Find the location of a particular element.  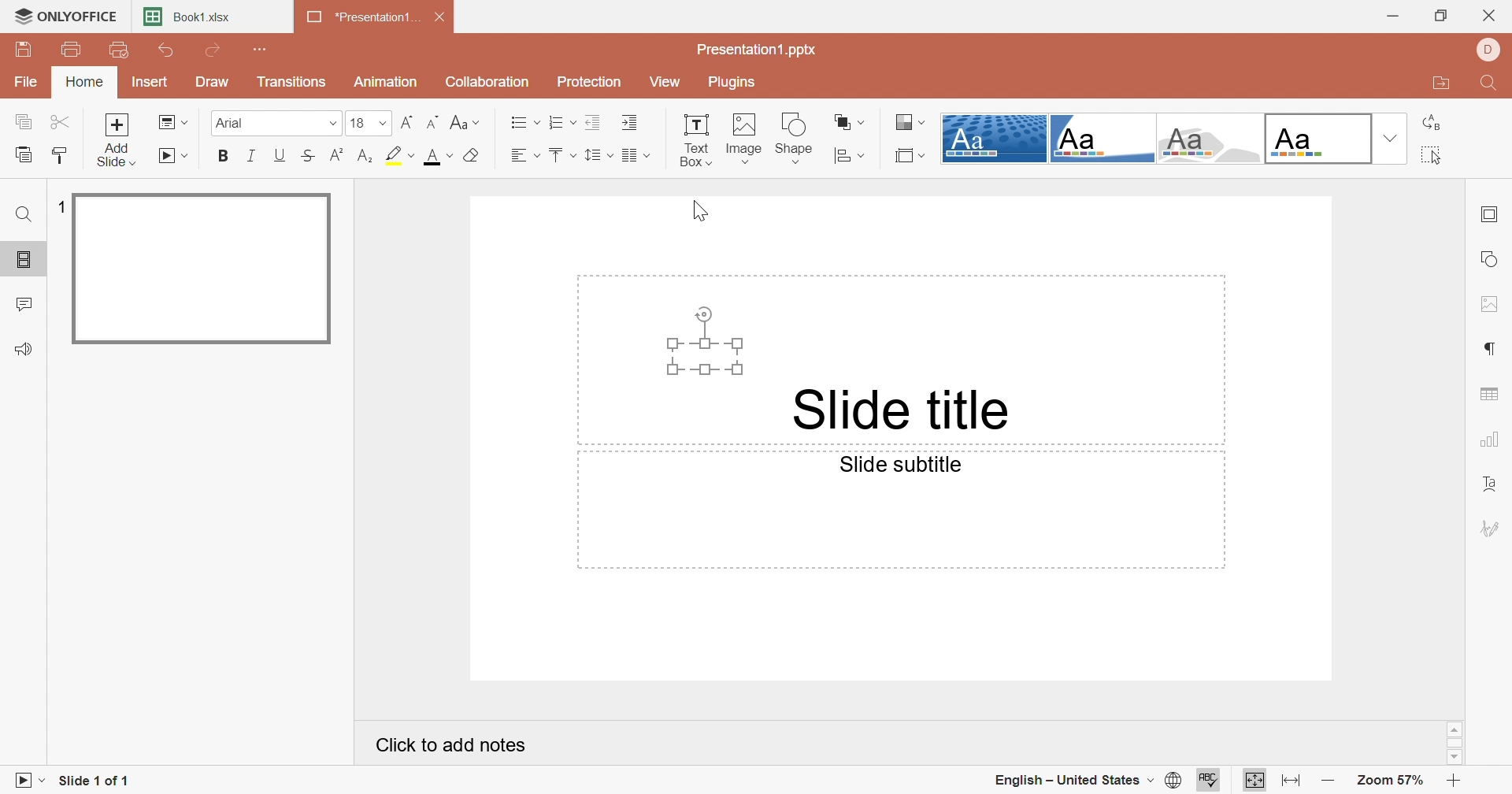

Highlight color is located at coordinates (399, 155).